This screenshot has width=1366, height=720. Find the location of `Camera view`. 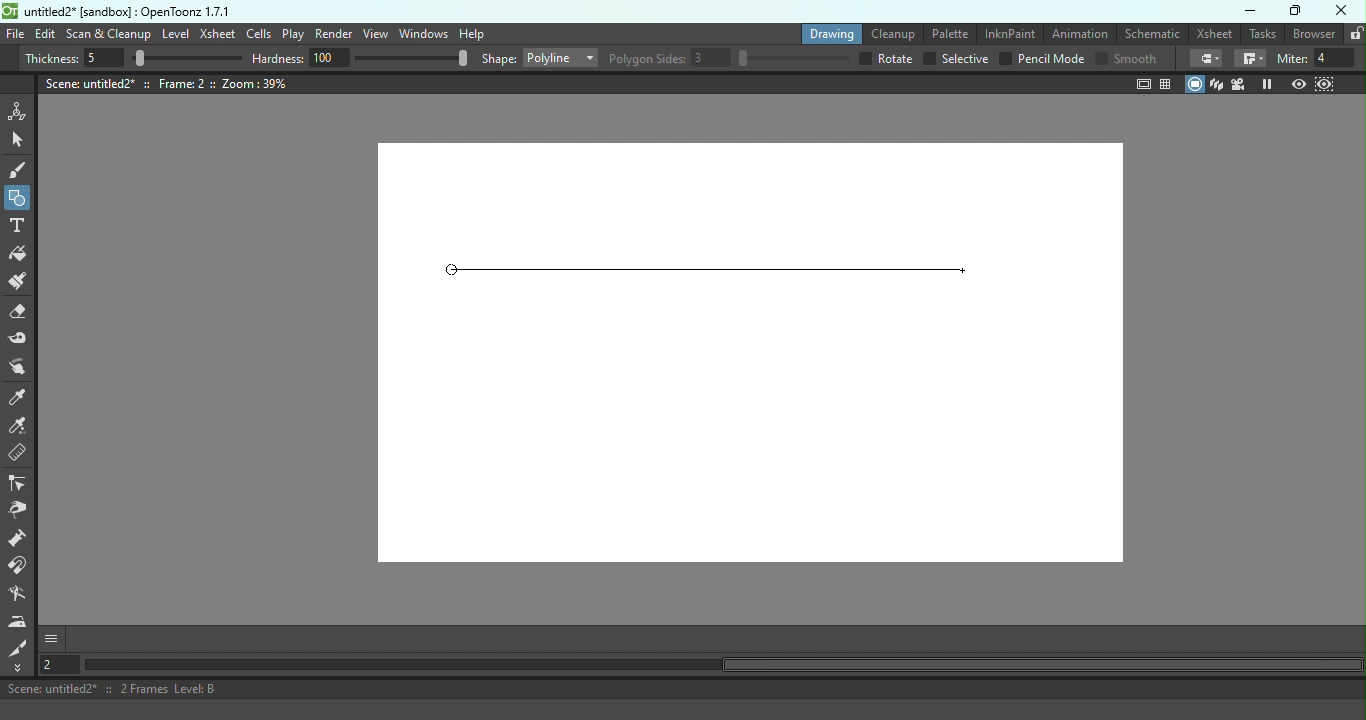

Camera view is located at coordinates (1241, 84).